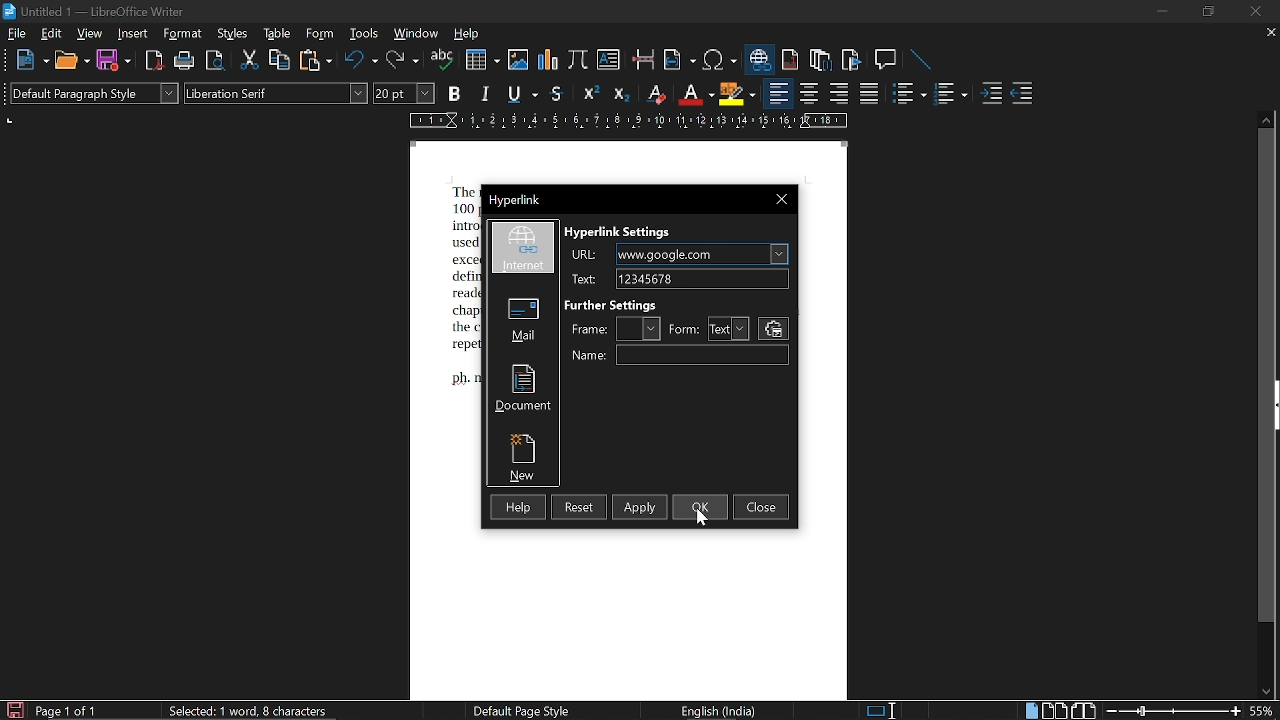 The image size is (1280, 720). I want to click on text form, so click(729, 329).